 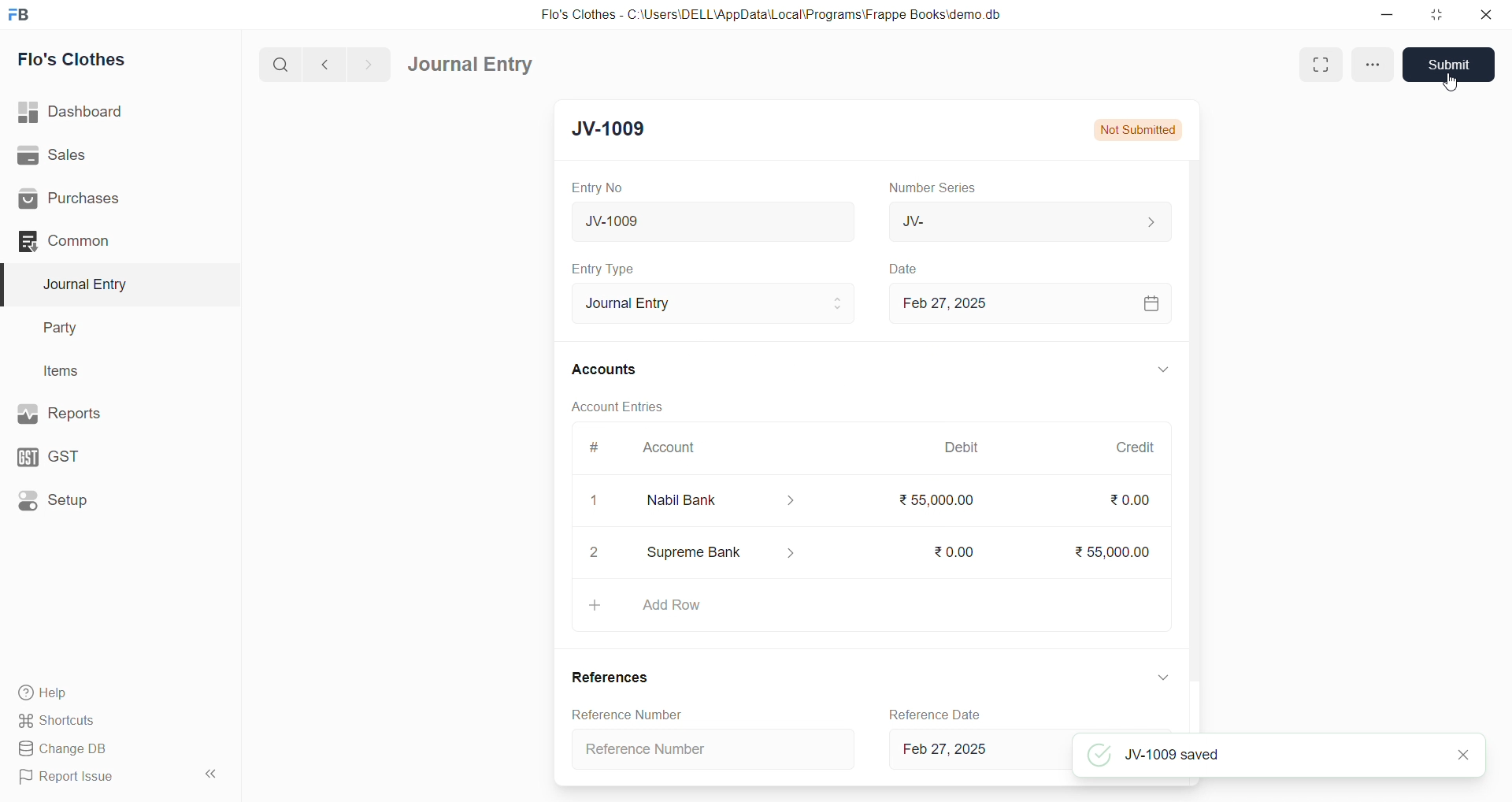 I want to click on logo, so click(x=24, y=13).